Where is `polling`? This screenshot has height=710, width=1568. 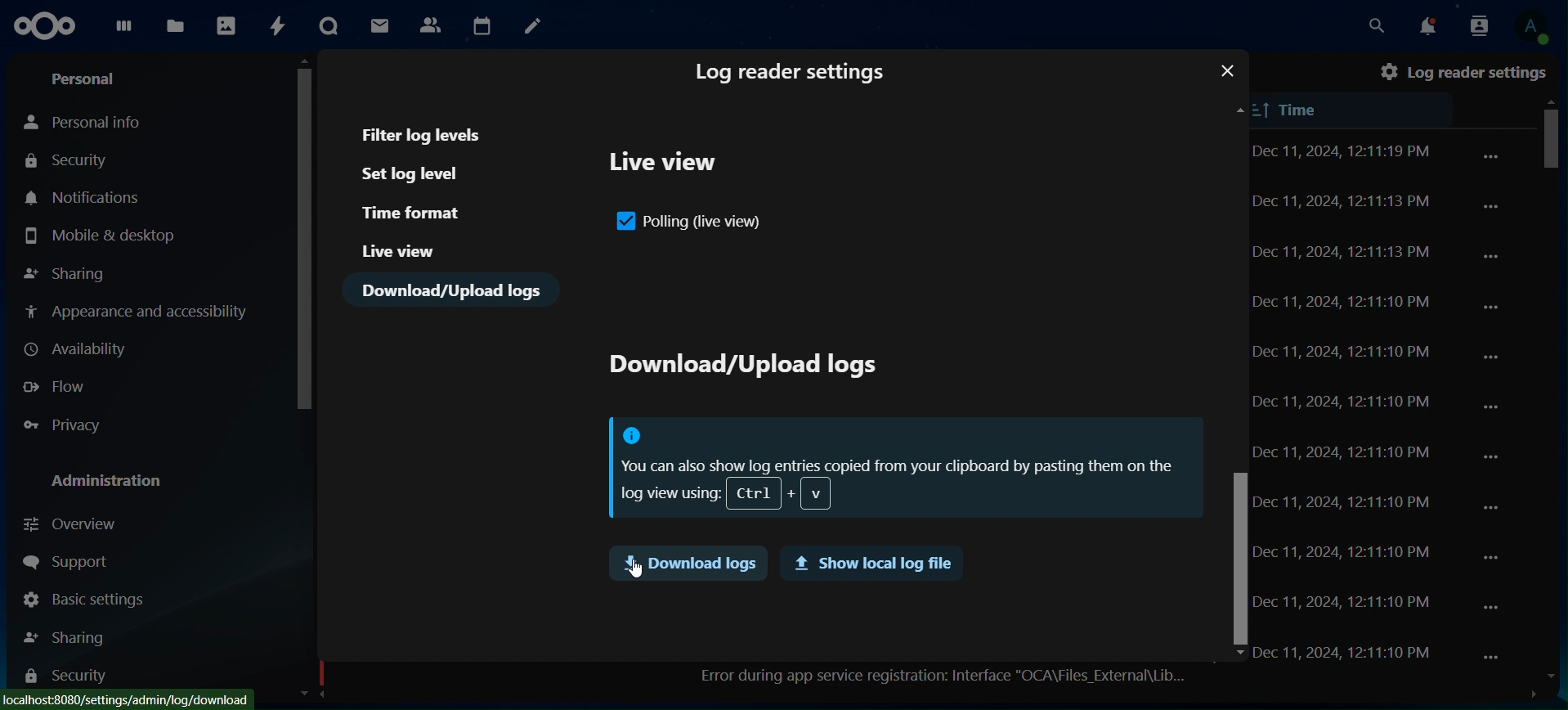
polling is located at coordinates (691, 223).